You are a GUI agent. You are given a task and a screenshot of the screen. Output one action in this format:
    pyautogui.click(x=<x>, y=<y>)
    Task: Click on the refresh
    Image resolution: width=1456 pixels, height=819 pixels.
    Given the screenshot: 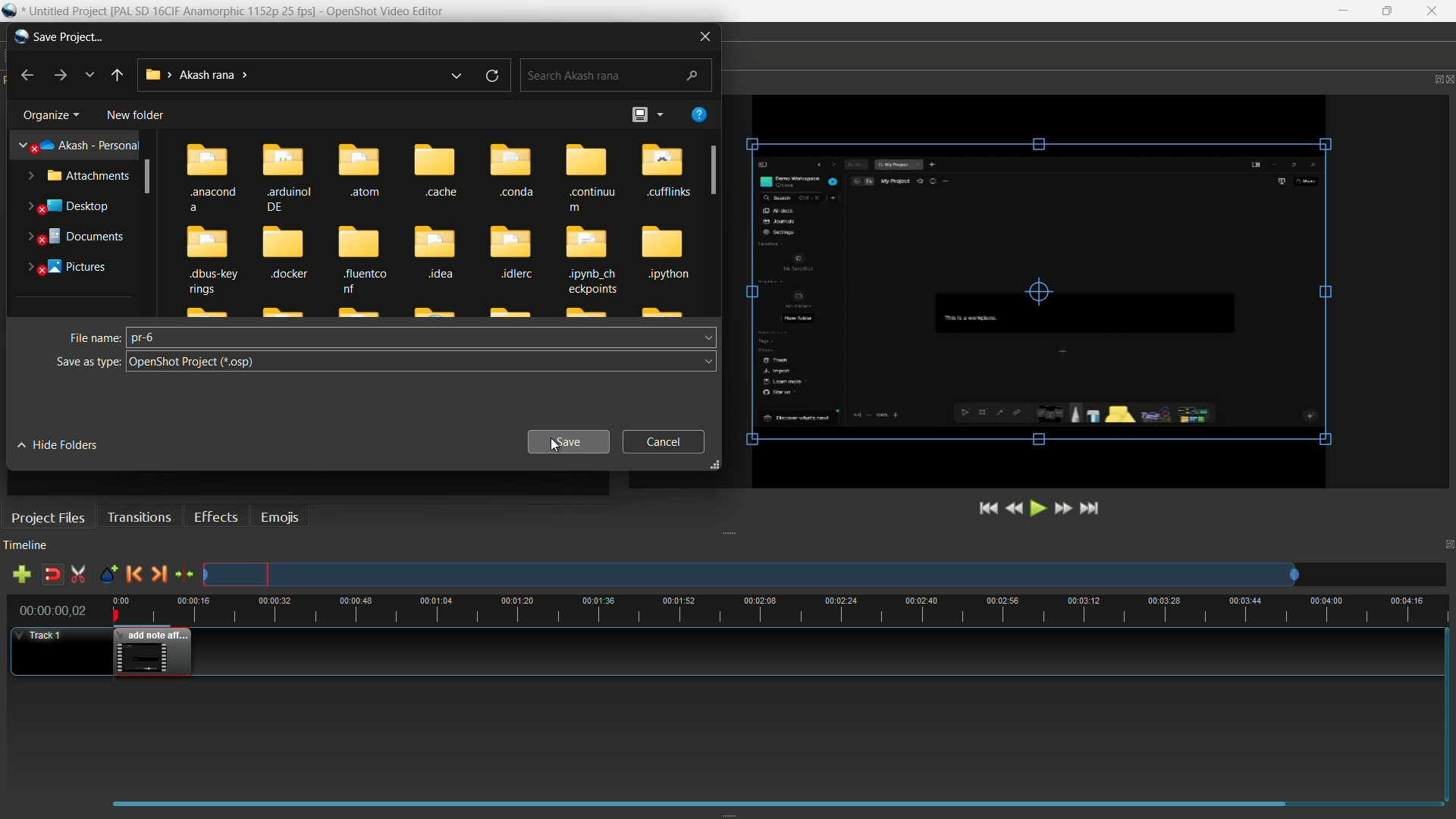 What is the action you would take?
    pyautogui.click(x=492, y=77)
    